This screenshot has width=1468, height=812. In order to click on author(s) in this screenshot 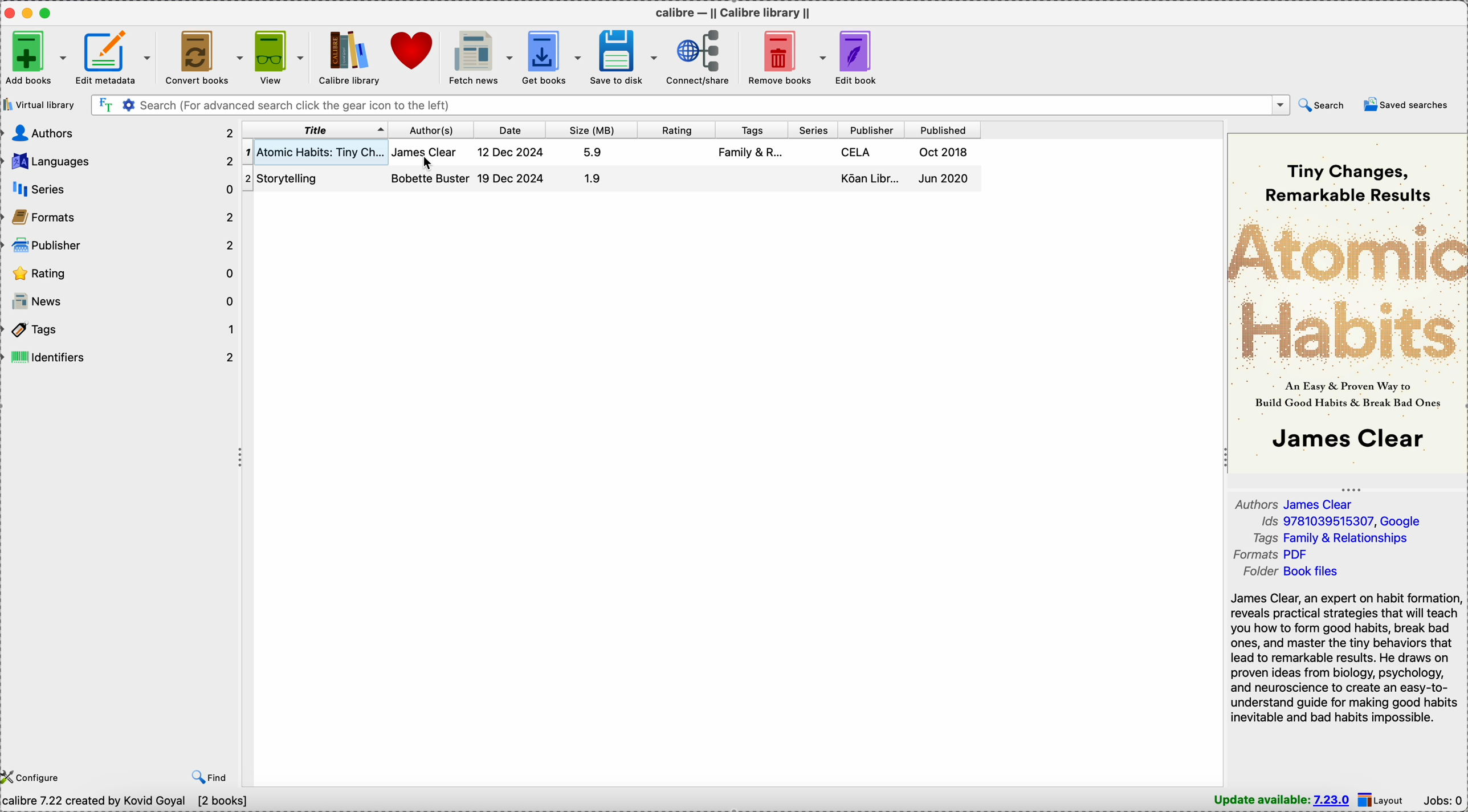, I will do `click(432, 129)`.